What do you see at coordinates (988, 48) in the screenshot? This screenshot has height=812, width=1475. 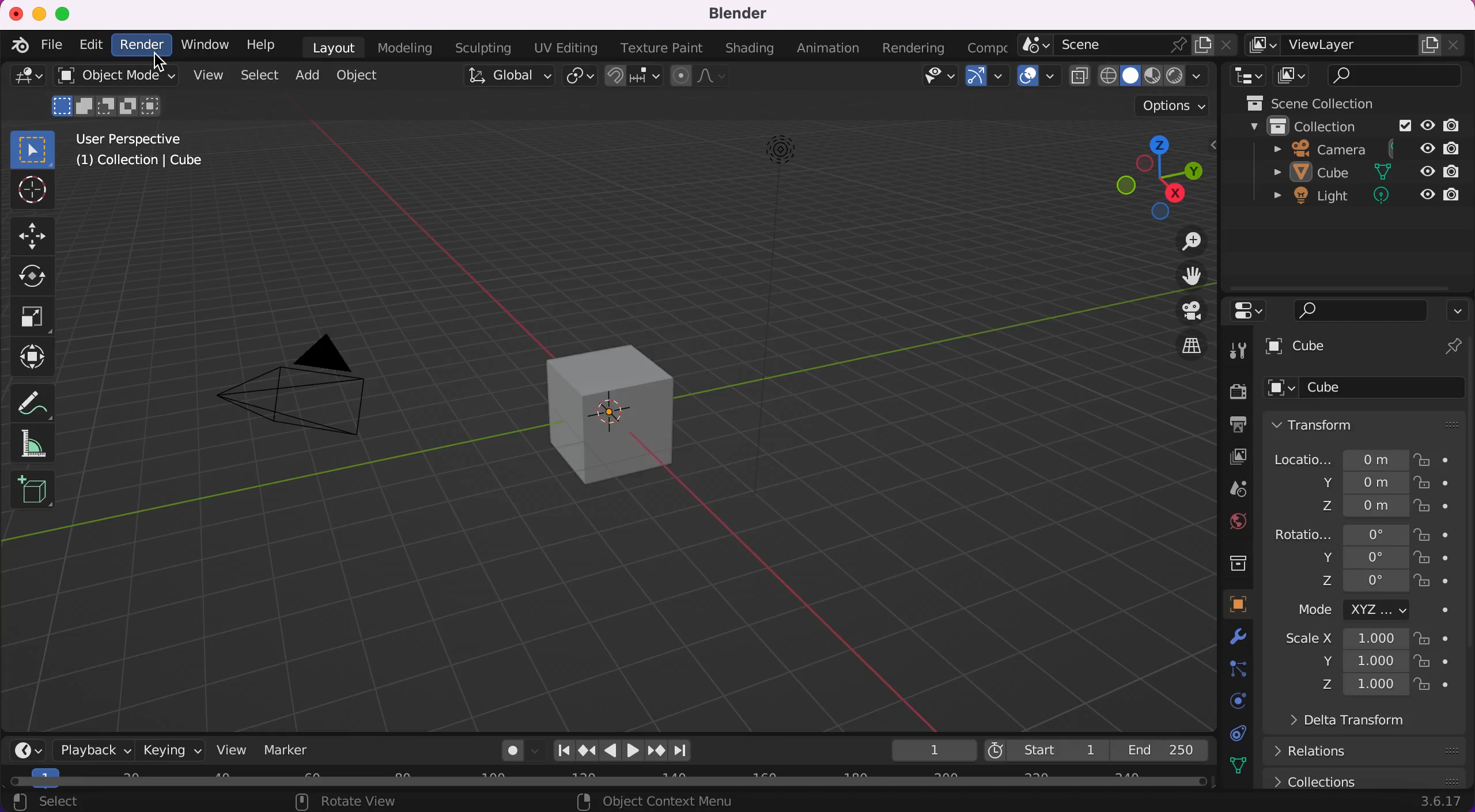 I see `active workspace` at bounding box center [988, 48].